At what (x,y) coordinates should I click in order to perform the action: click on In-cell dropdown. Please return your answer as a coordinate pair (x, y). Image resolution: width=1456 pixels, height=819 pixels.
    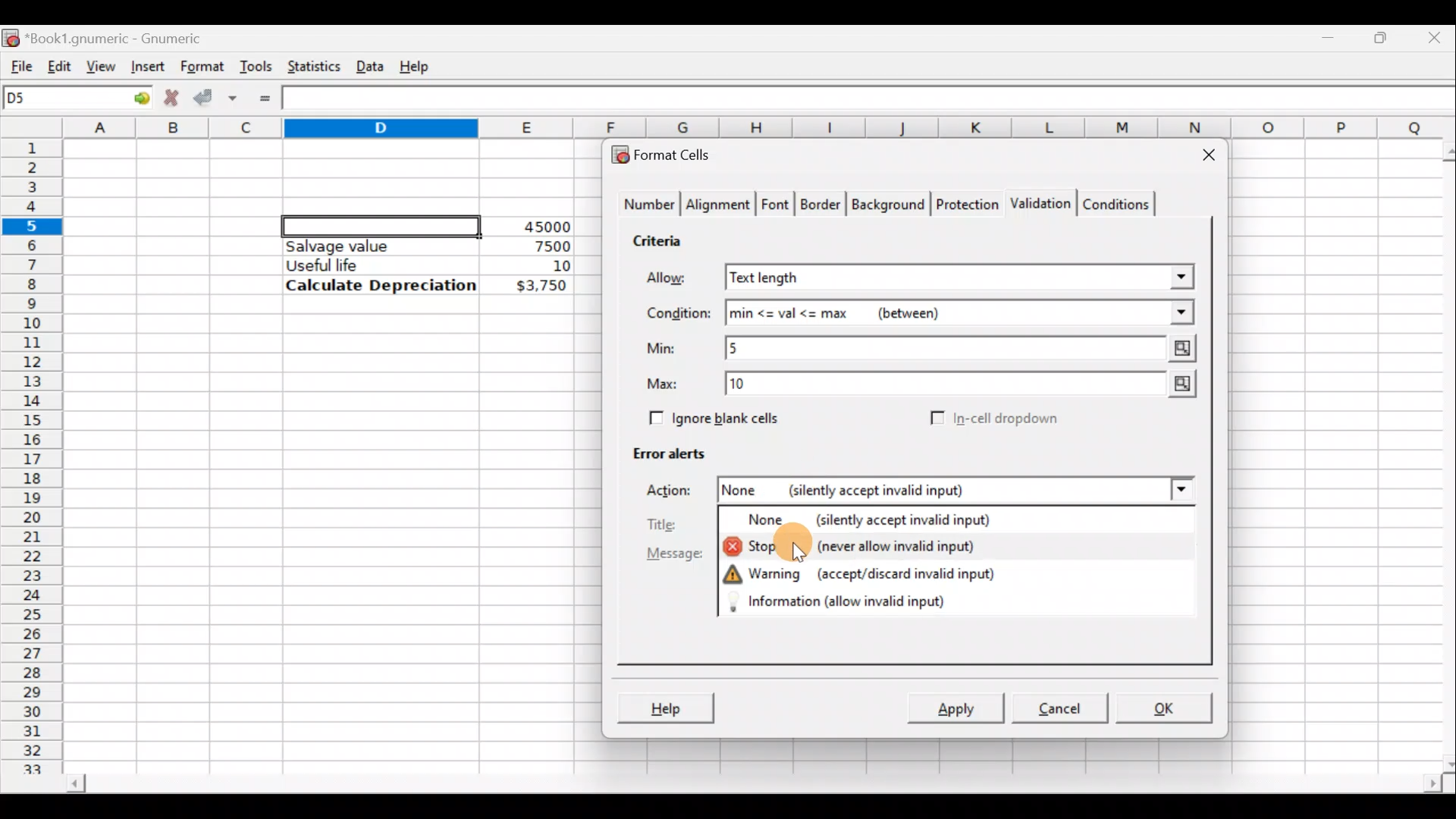
    Looking at the image, I should click on (1009, 419).